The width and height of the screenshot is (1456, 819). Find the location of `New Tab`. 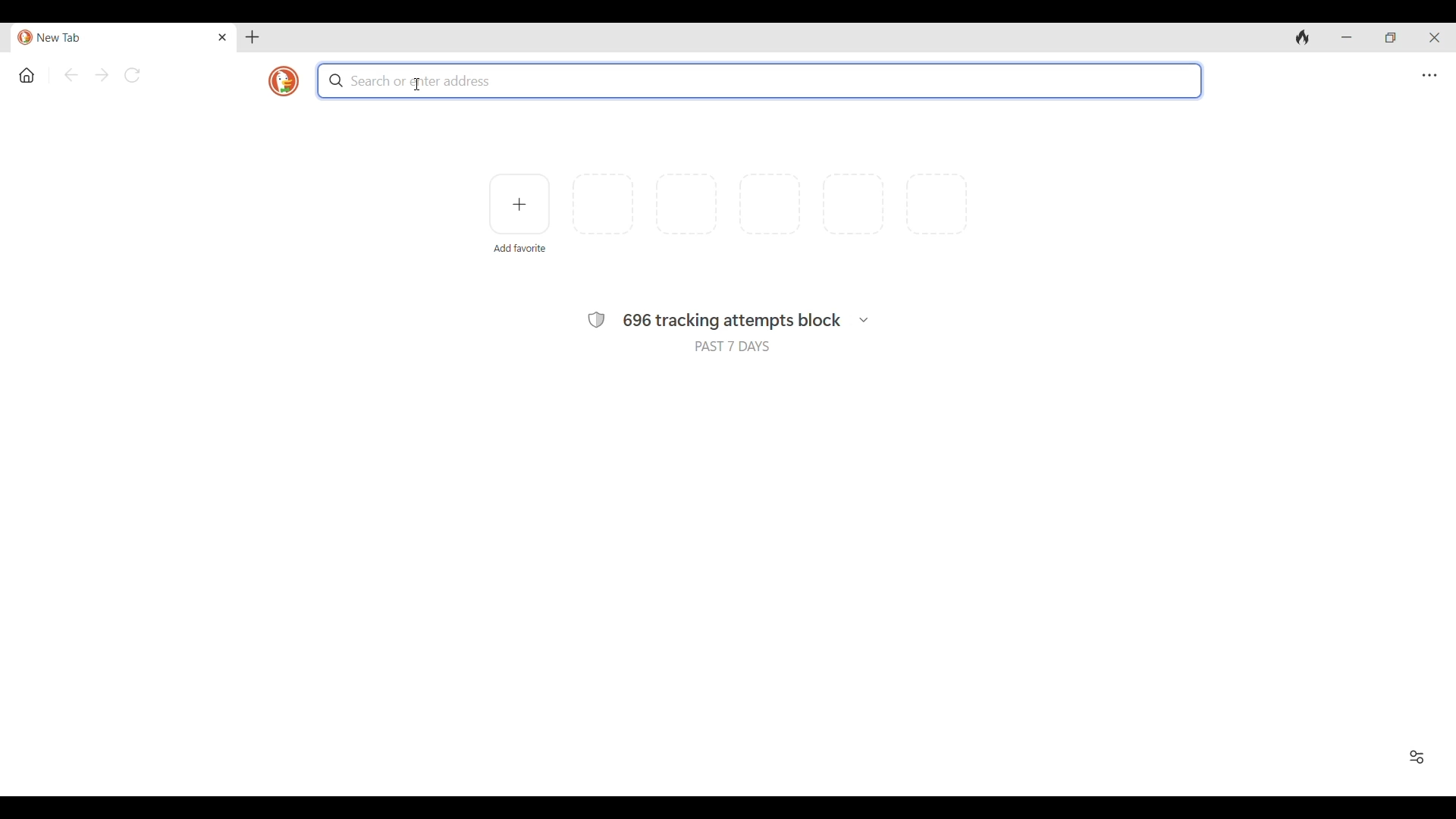

New Tab is located at coordinates (111, 38).